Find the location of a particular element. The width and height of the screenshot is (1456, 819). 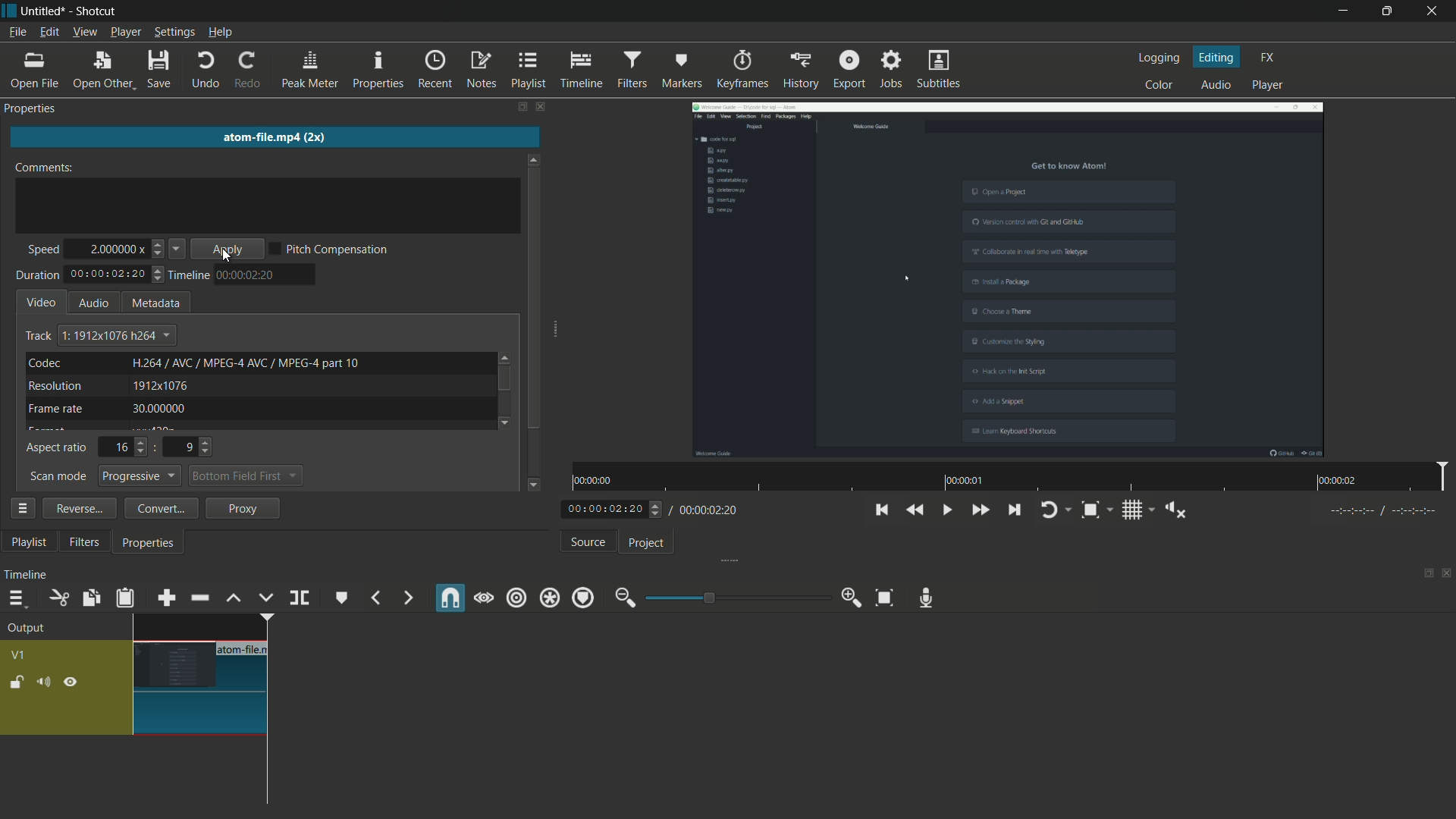

zoom out is located at coordinates (625, 598).